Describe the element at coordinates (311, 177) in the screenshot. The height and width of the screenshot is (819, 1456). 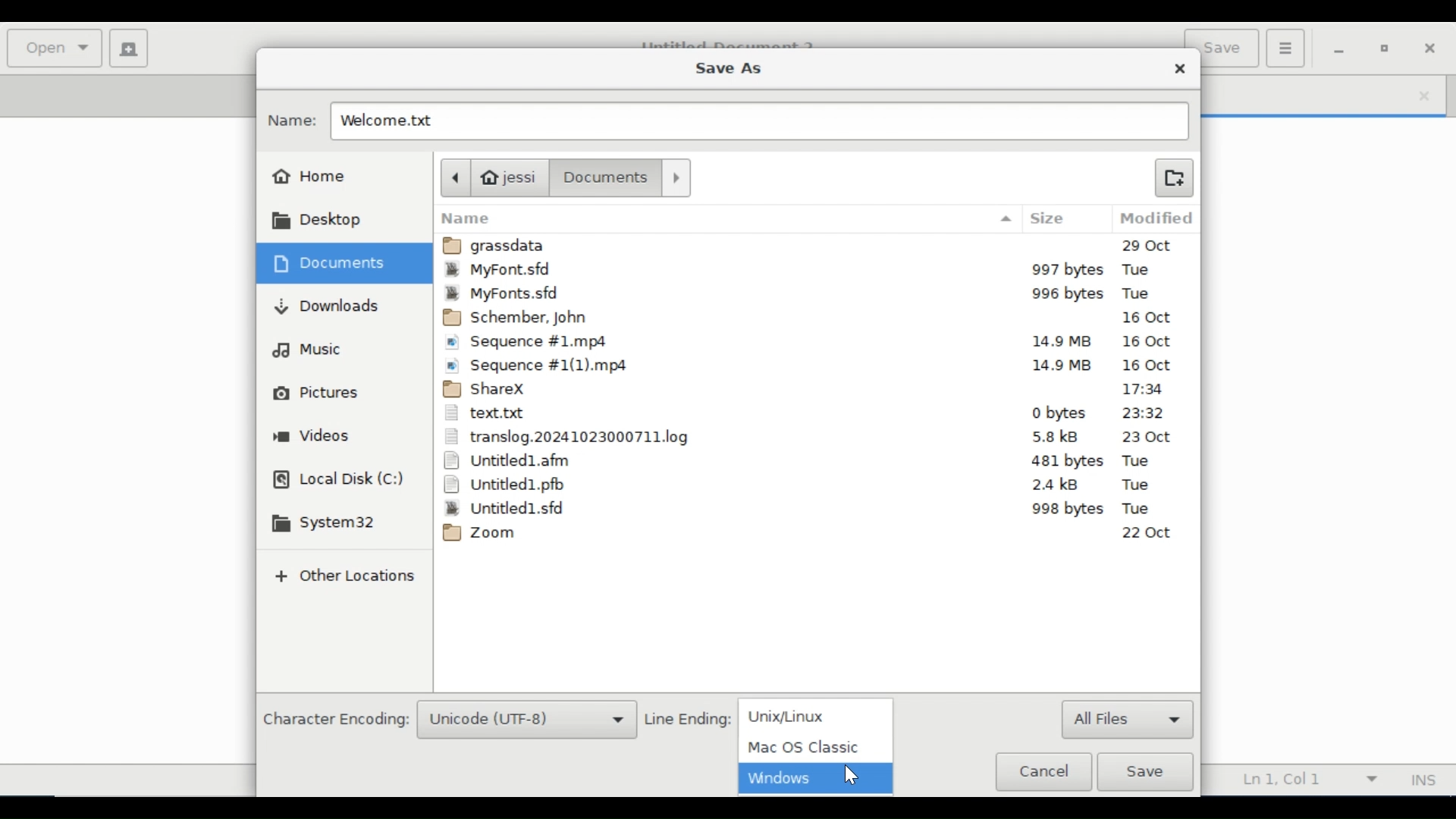
I see `Home` at that location.